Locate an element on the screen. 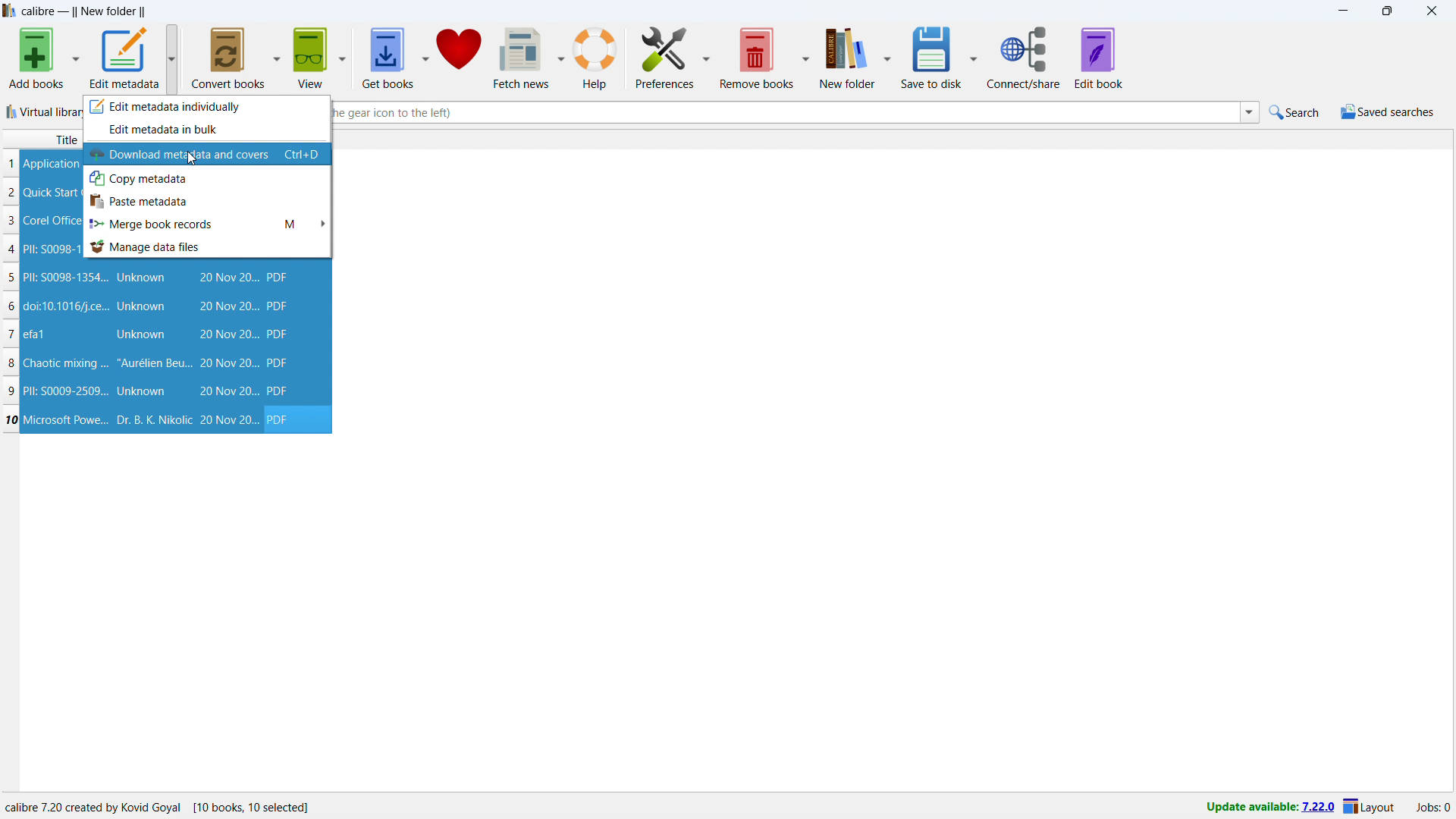  new folder  is located at coordinates (848, 56).